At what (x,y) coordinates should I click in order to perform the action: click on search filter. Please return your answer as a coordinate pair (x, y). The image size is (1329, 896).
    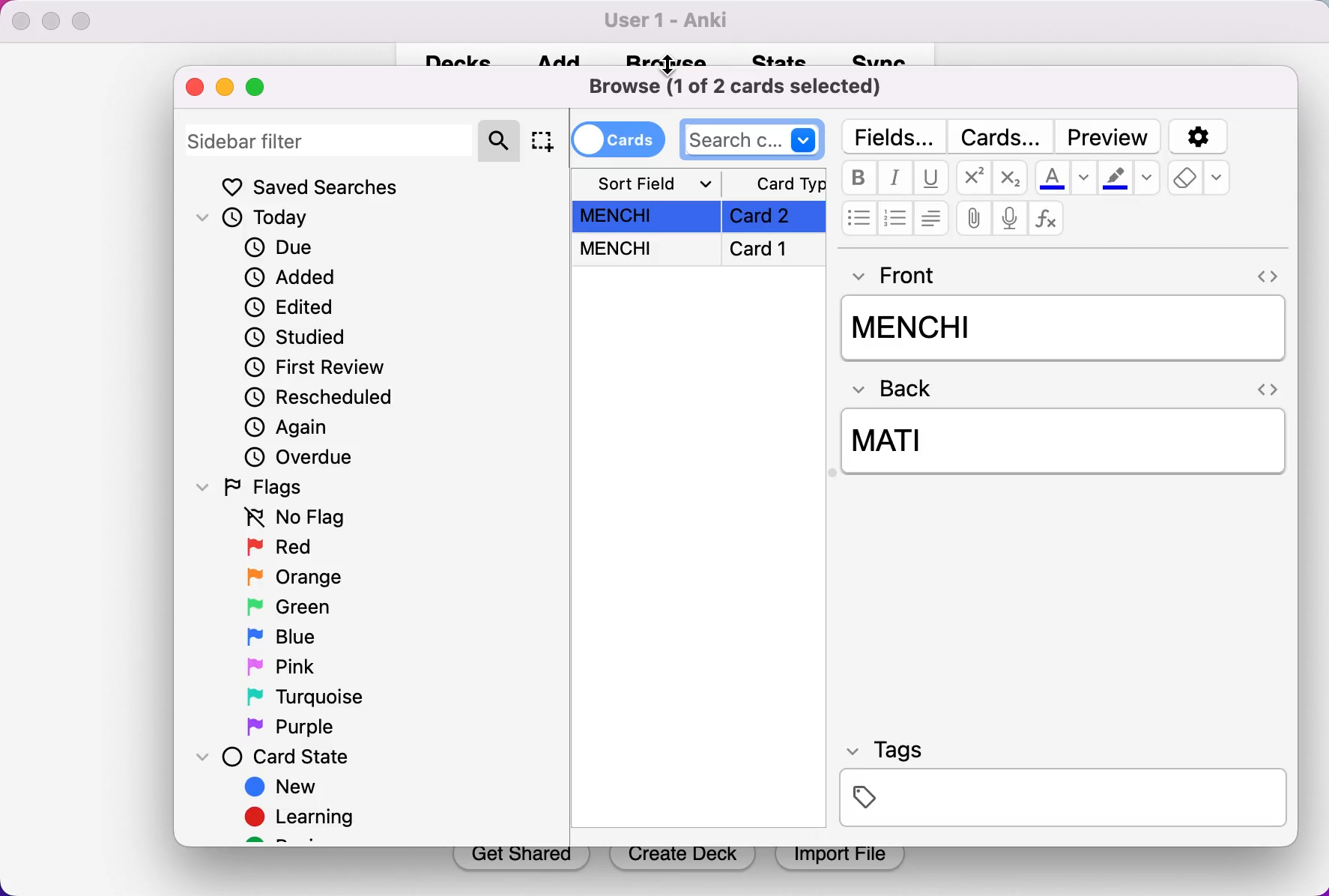
    Looking at the image, I should click on (501, 139).